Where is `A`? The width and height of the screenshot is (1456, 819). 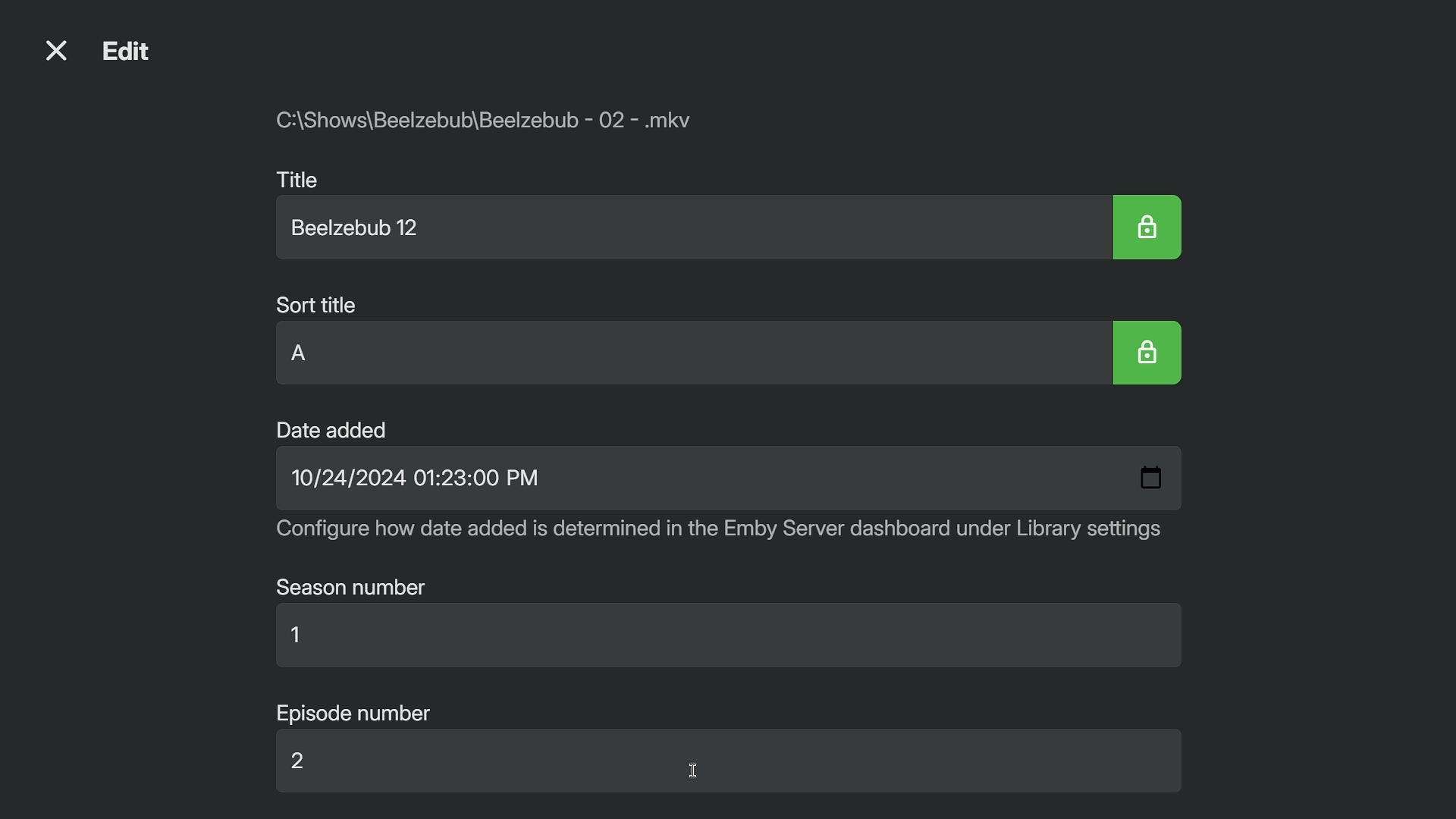 A is located at coordinates (309, 356).